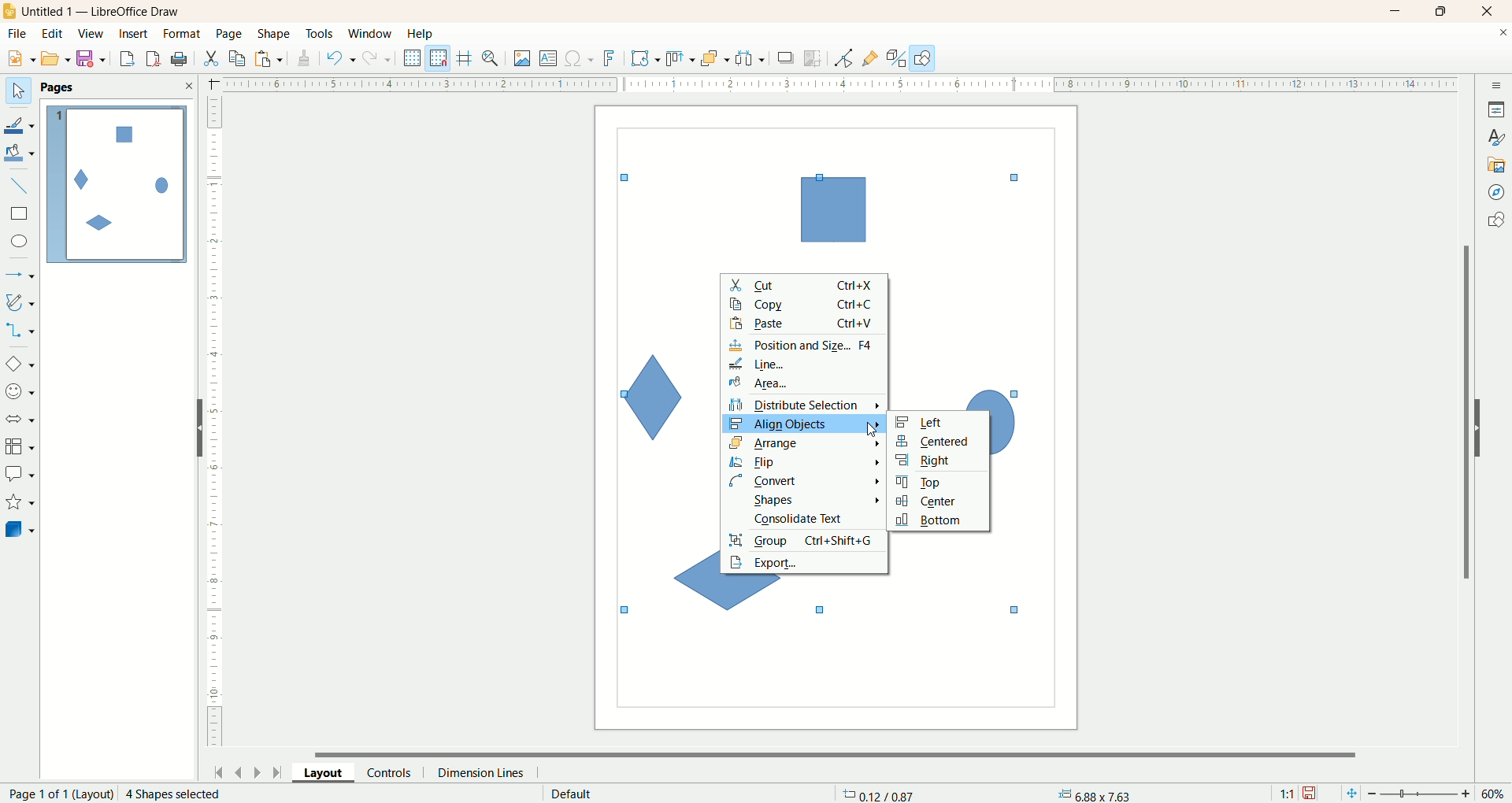 Image resolution: width=1512 pixels, height=803 pixels. What do you see at coordinates (216, 770) in the screenshot?
I see `first page` at bounding box center [216, 770].